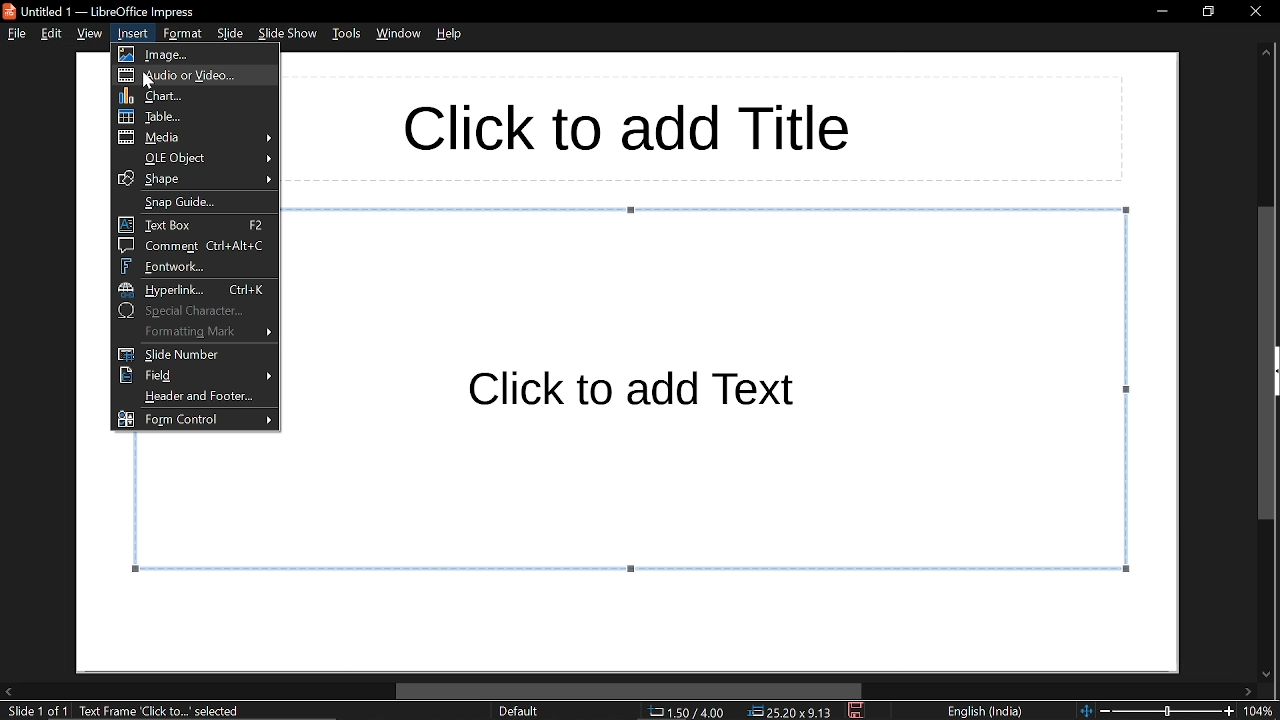 This screenshot has height=720, width=1280. What do you see at coordinates (1249, 691) in the screenshot?
I see `move right` at bounding box center [1249, 691].